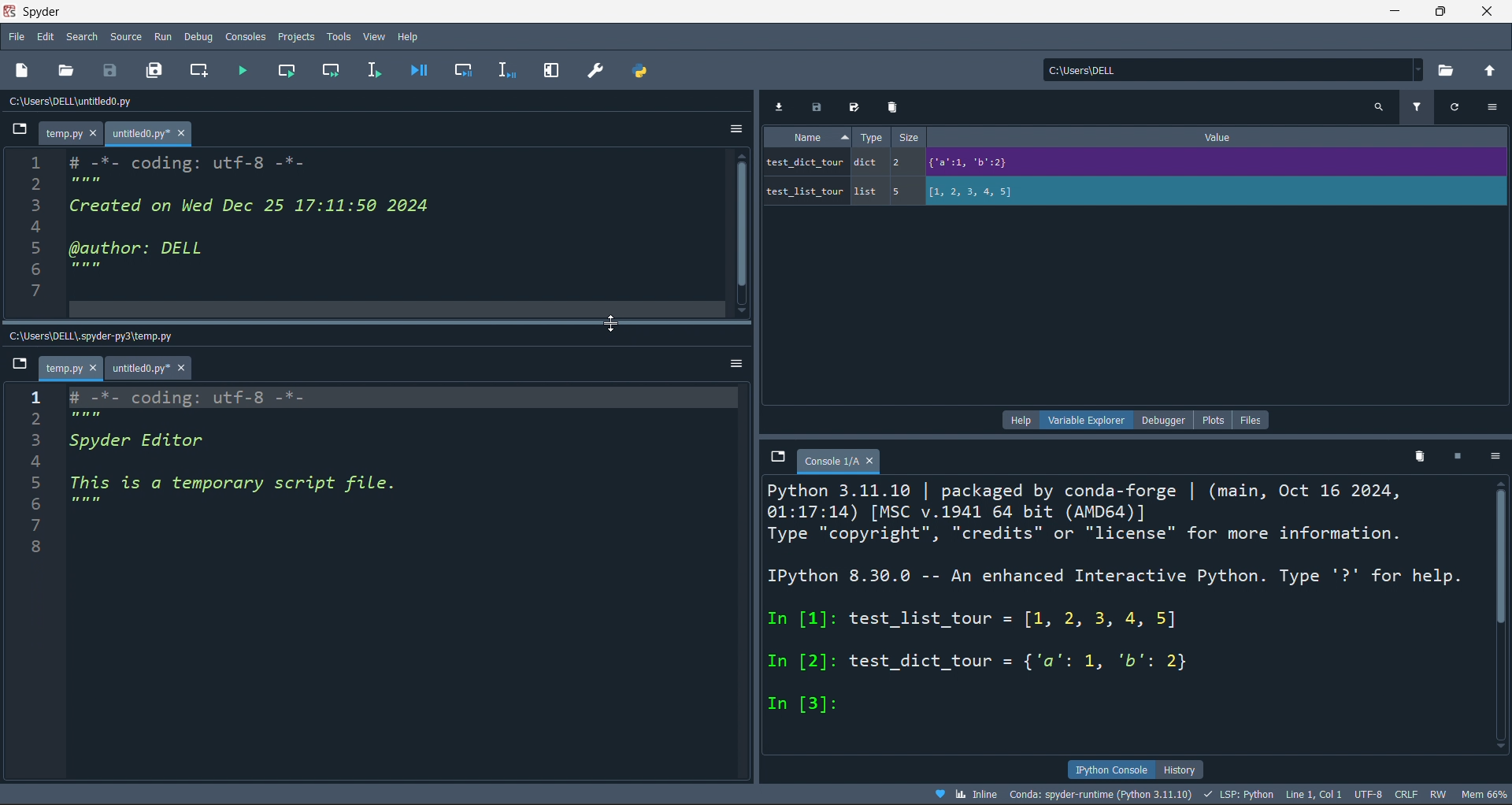  Describe the element at coordinates (20, 365) in the screenshot. I see `browse tab` at that location.